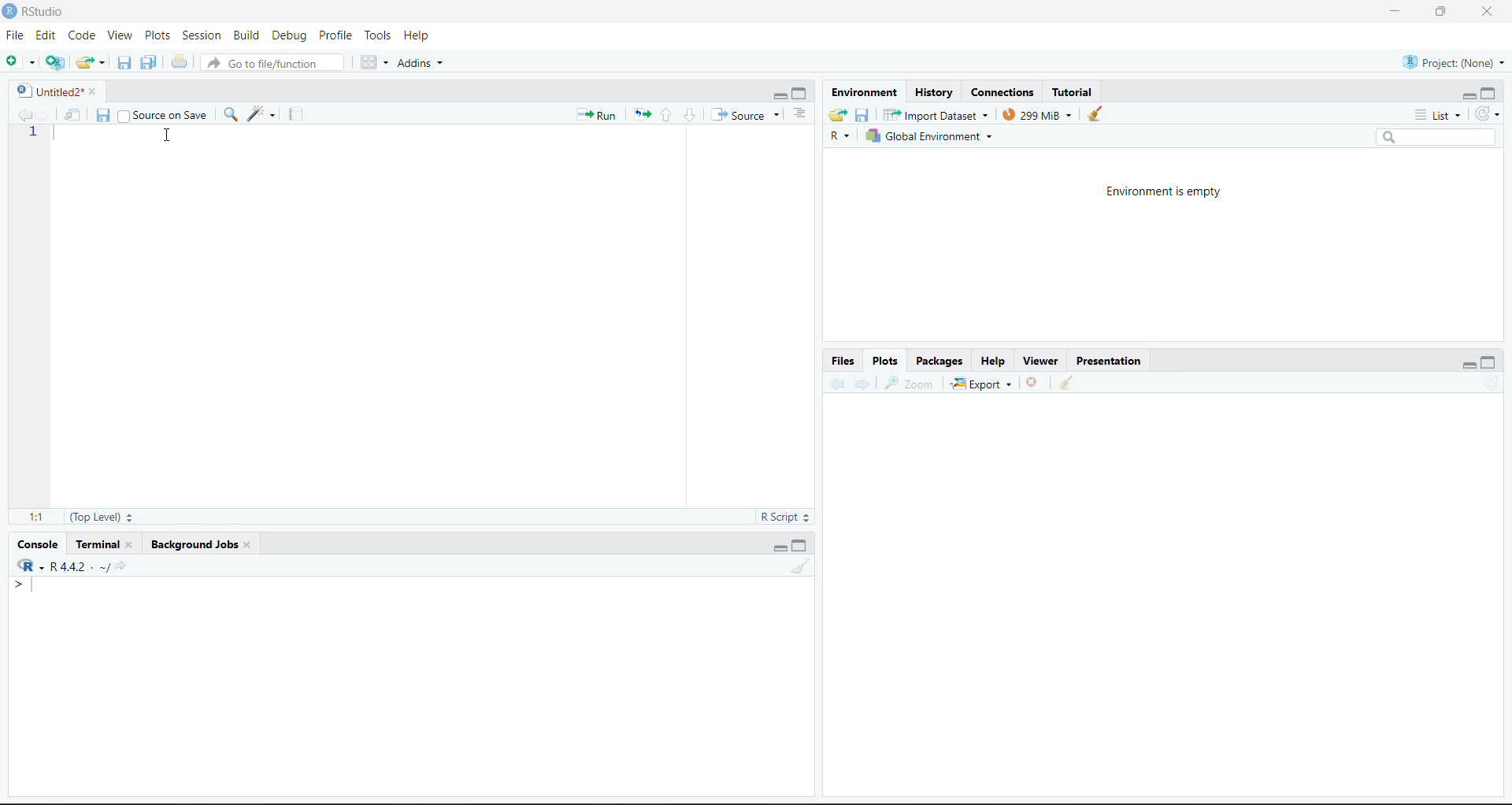  What do you see at coordinates (1488, 11) in the screenshot?
I see `close` at bounding box center [1488, 11].